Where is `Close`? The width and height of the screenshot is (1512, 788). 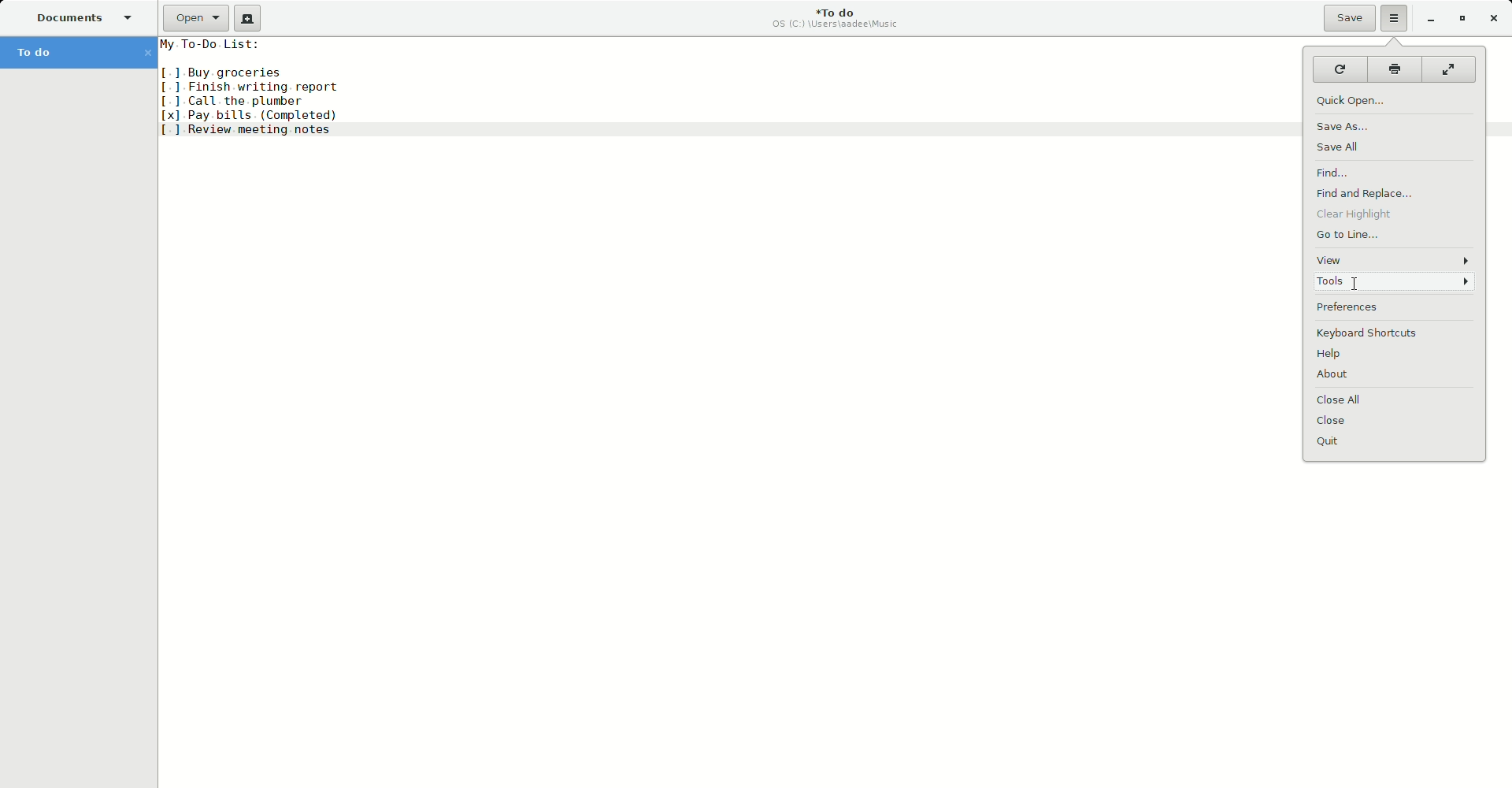
Close is located at coordinates (1337, 422).